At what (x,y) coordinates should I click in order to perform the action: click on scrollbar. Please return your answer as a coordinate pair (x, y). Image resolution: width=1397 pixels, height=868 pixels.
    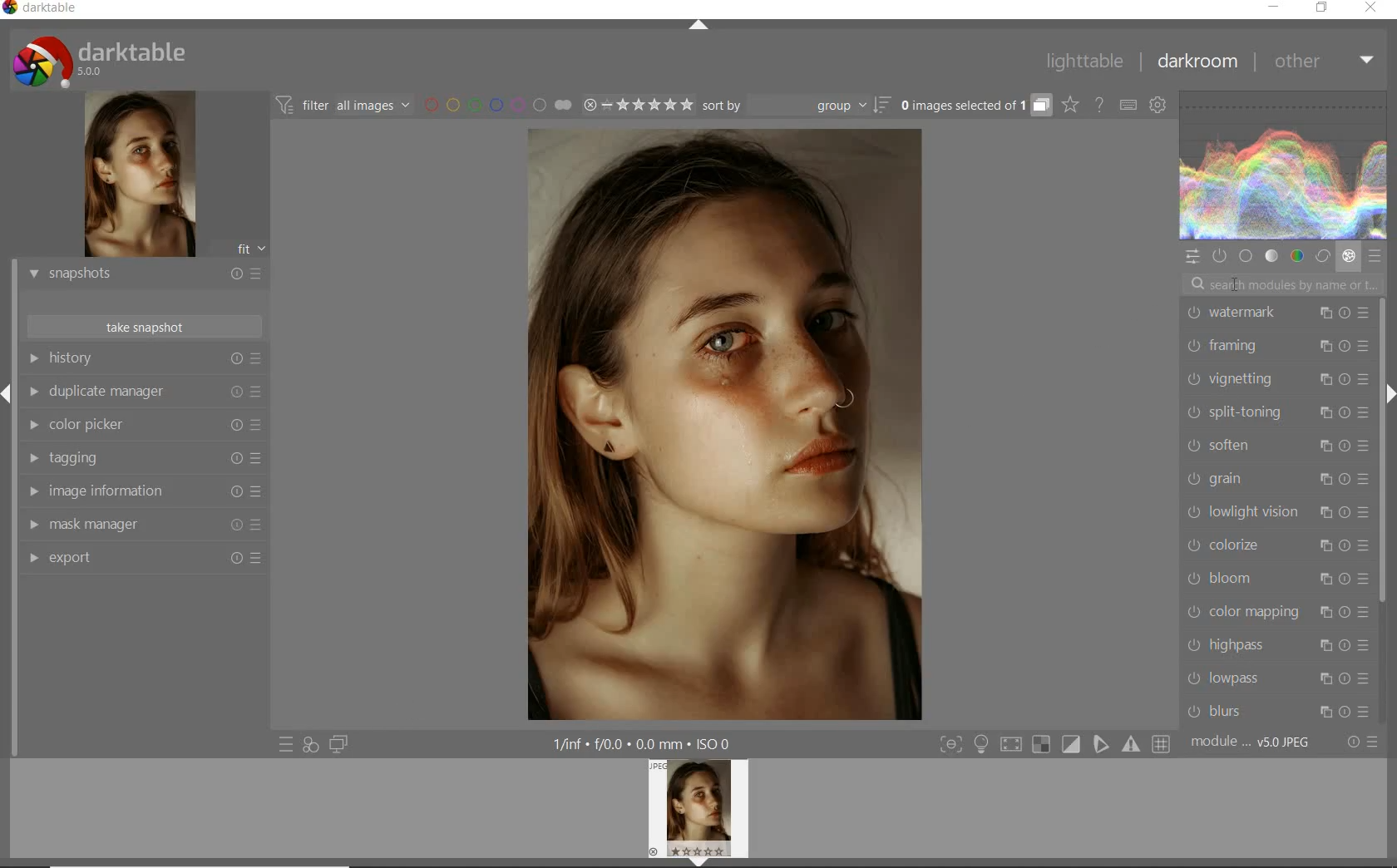
    Looking at the image, I should click on (1382, 450).